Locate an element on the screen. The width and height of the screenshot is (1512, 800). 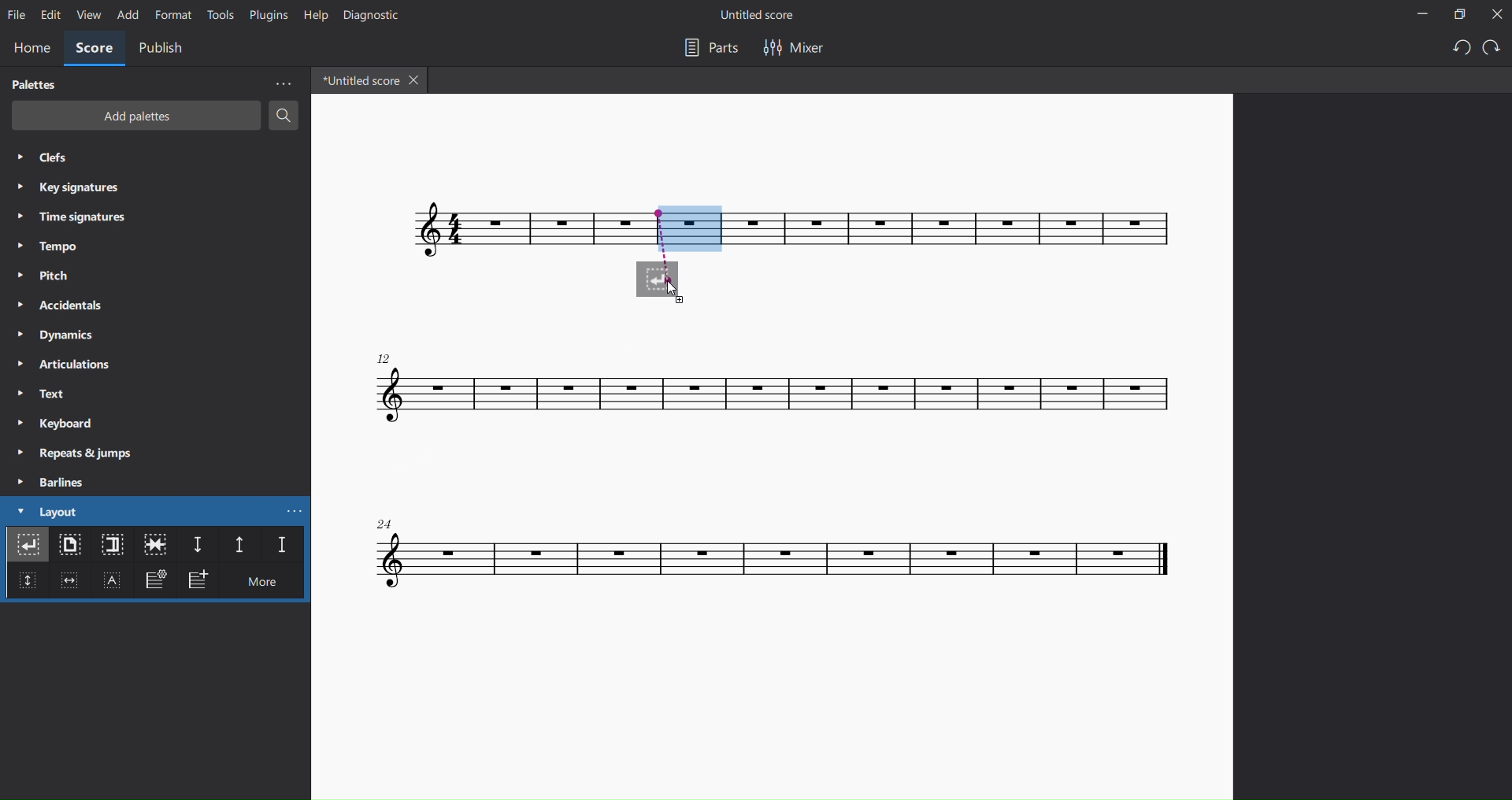
score is located at coordinates (782, 389).